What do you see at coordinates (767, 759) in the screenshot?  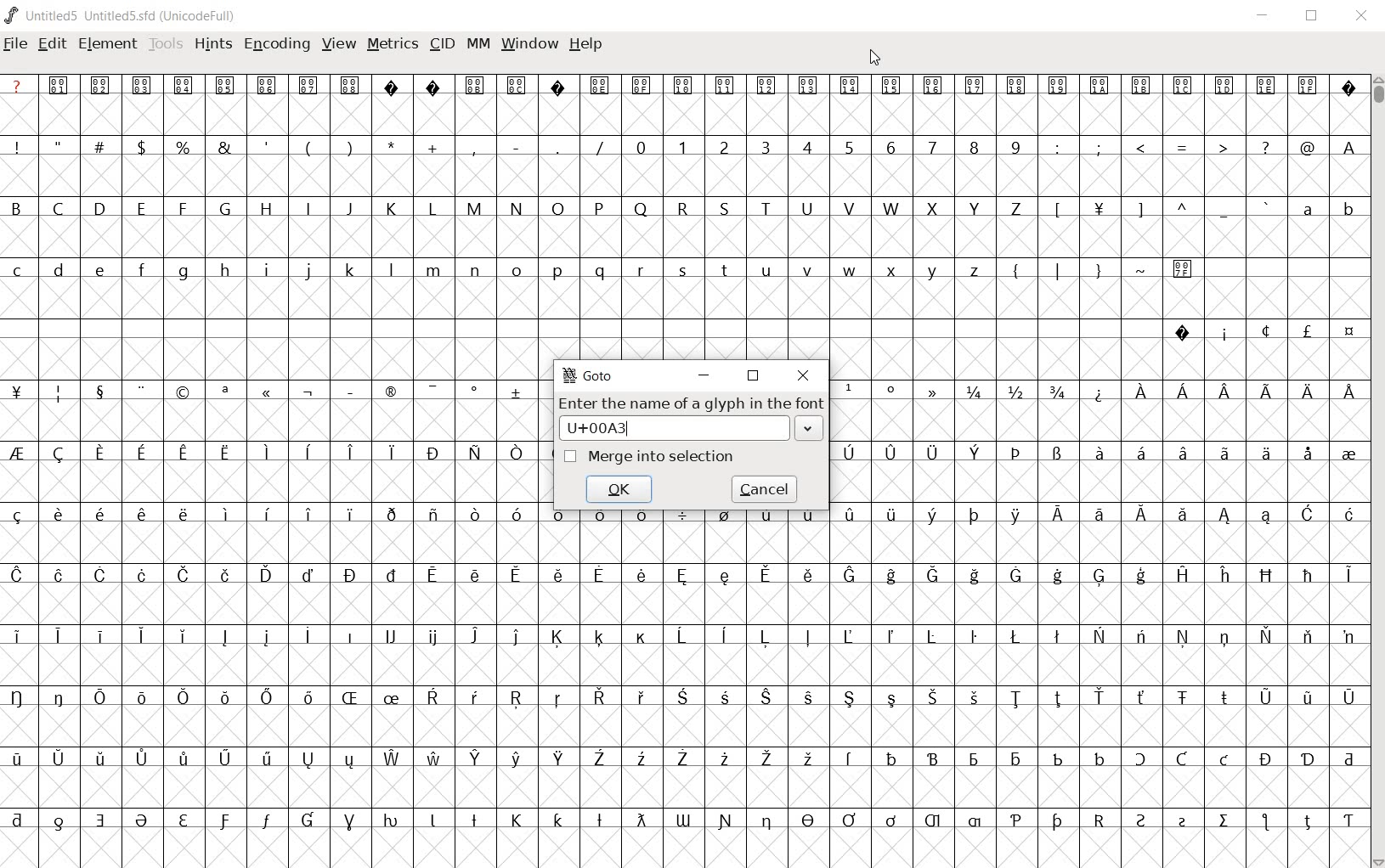 I see `Symbol` at bounding box center [767, 759].